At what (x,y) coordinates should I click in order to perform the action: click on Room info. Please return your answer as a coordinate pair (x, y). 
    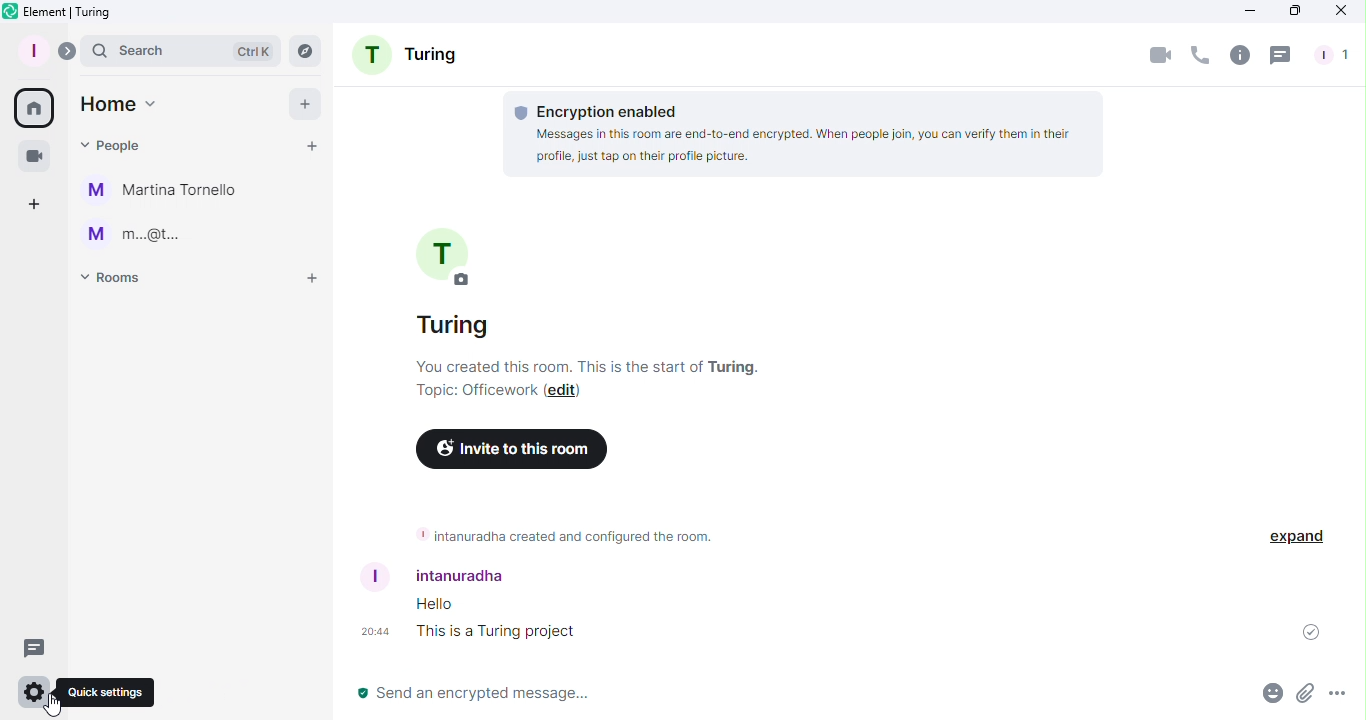
    Looking at the image, I should click on (1238, 57).